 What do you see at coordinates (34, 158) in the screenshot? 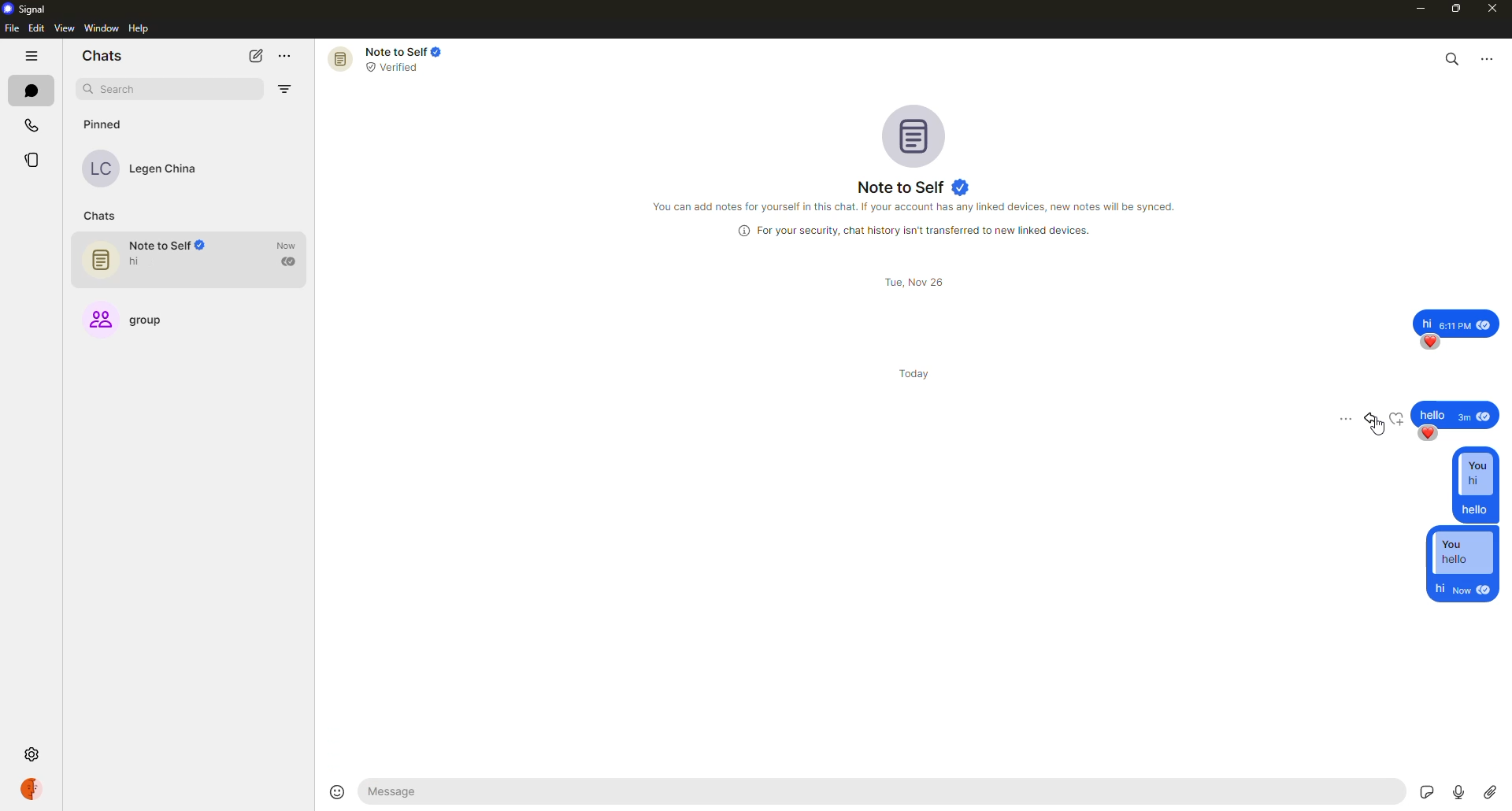
I see `stories` at bounding box center [34, 158].